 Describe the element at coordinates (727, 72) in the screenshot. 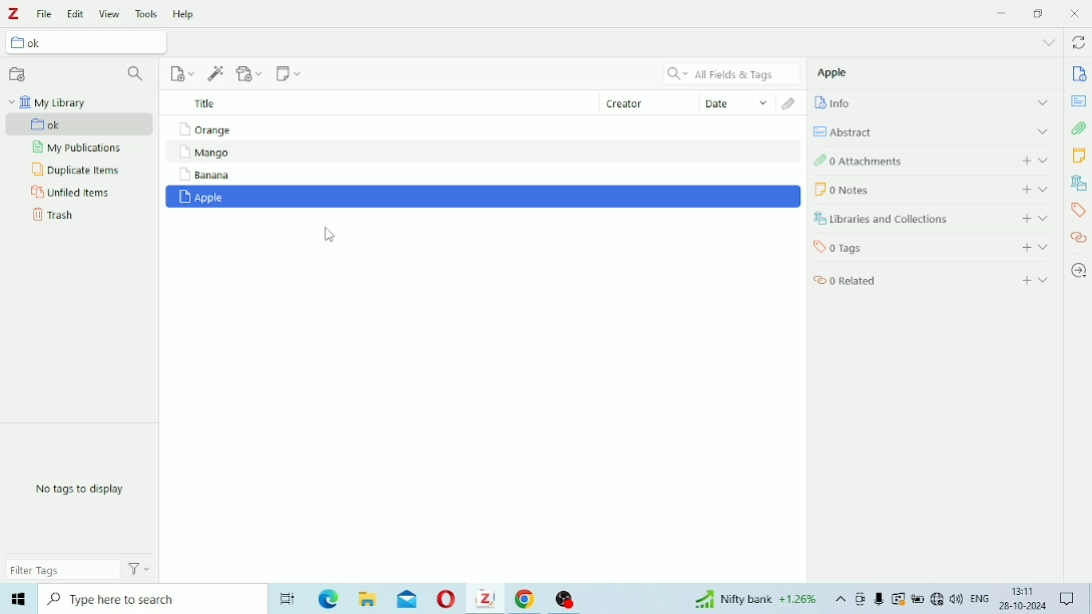

I see `Search All Fields & Tags` at that location.